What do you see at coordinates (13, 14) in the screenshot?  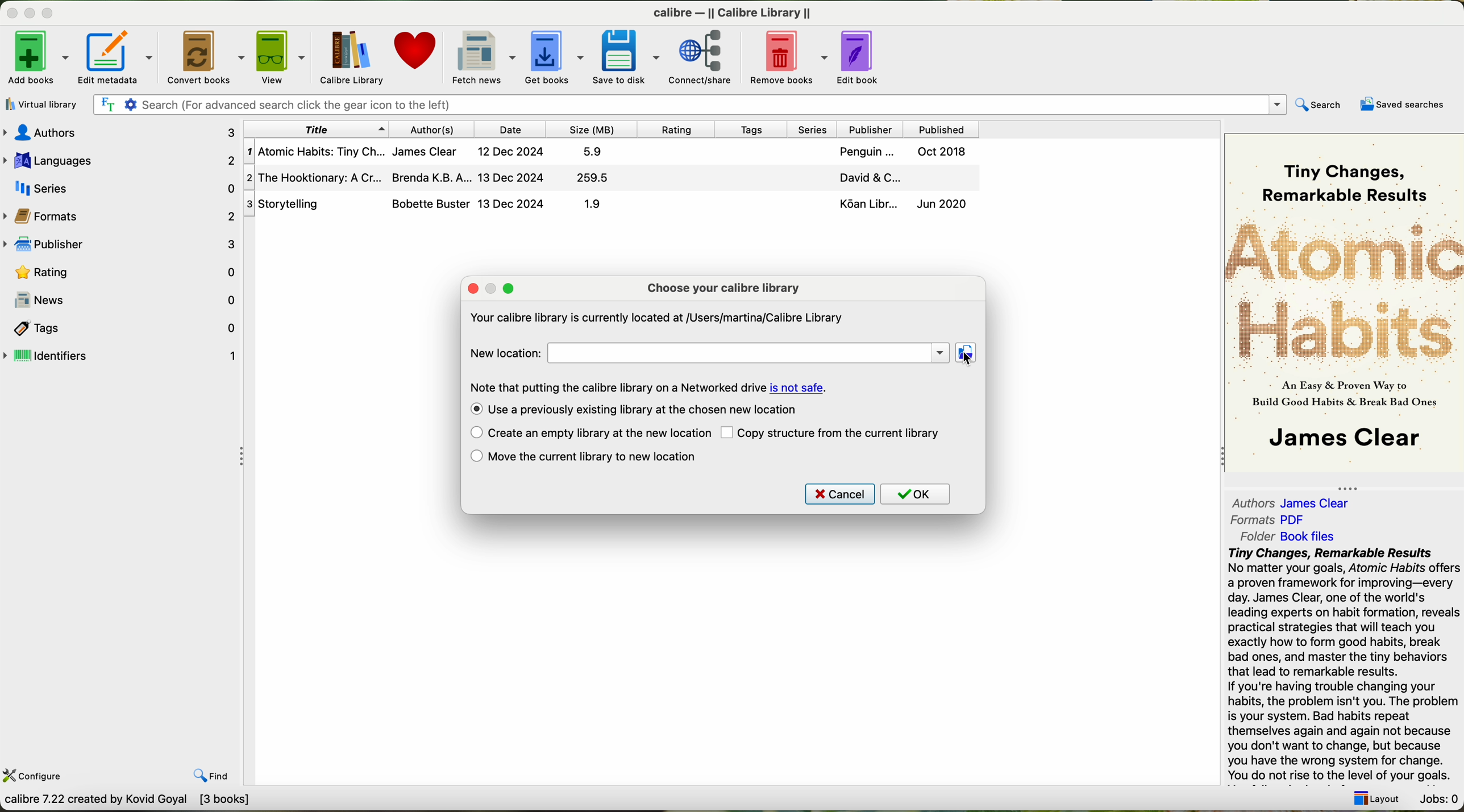 I see `Minimize` at bounding box center [13, 14].